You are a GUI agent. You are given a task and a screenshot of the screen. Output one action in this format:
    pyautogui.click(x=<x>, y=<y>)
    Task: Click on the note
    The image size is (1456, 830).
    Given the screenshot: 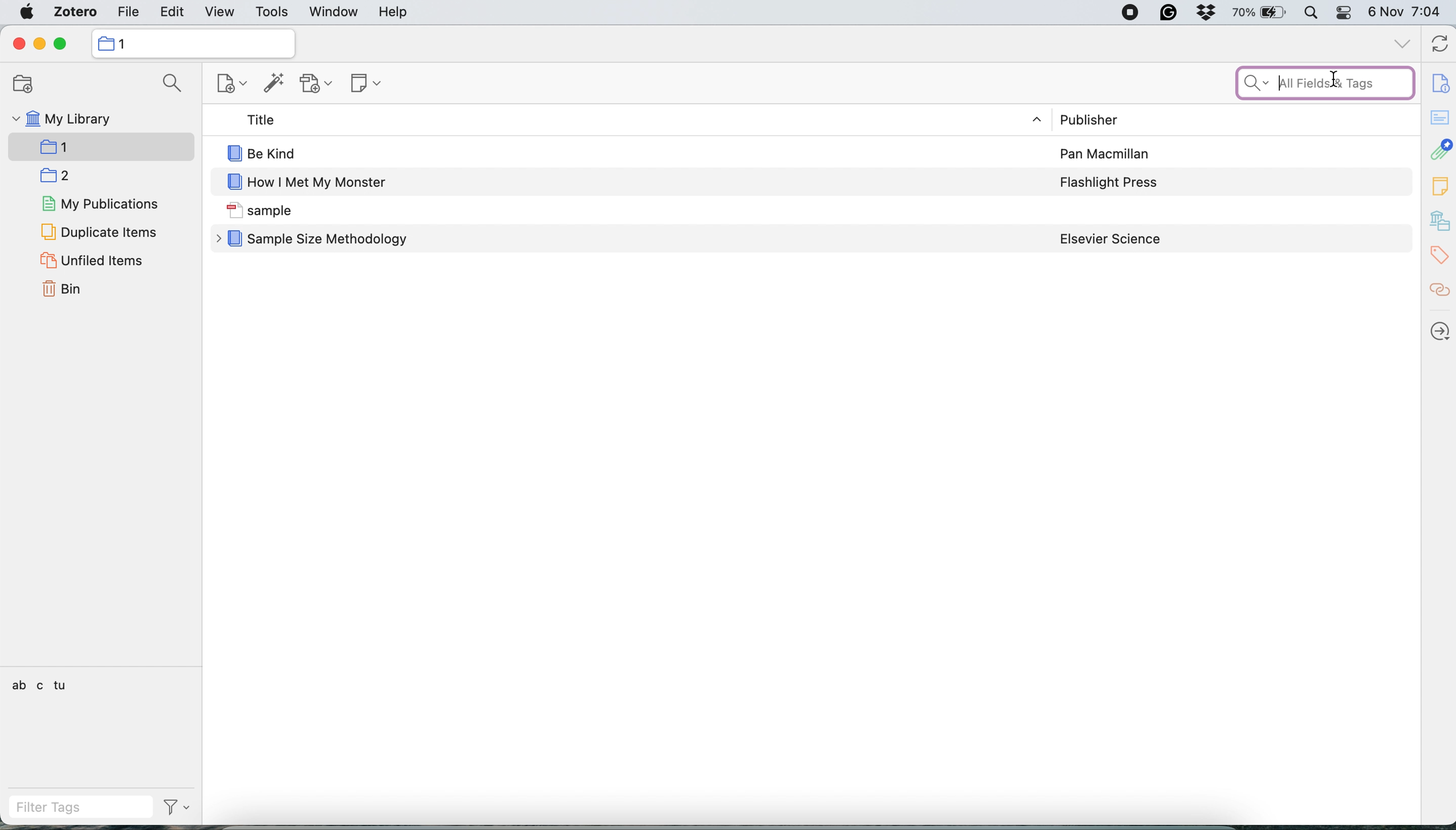 What is the action you would take?
    pyautogui.click(x=1439, y=186)
    